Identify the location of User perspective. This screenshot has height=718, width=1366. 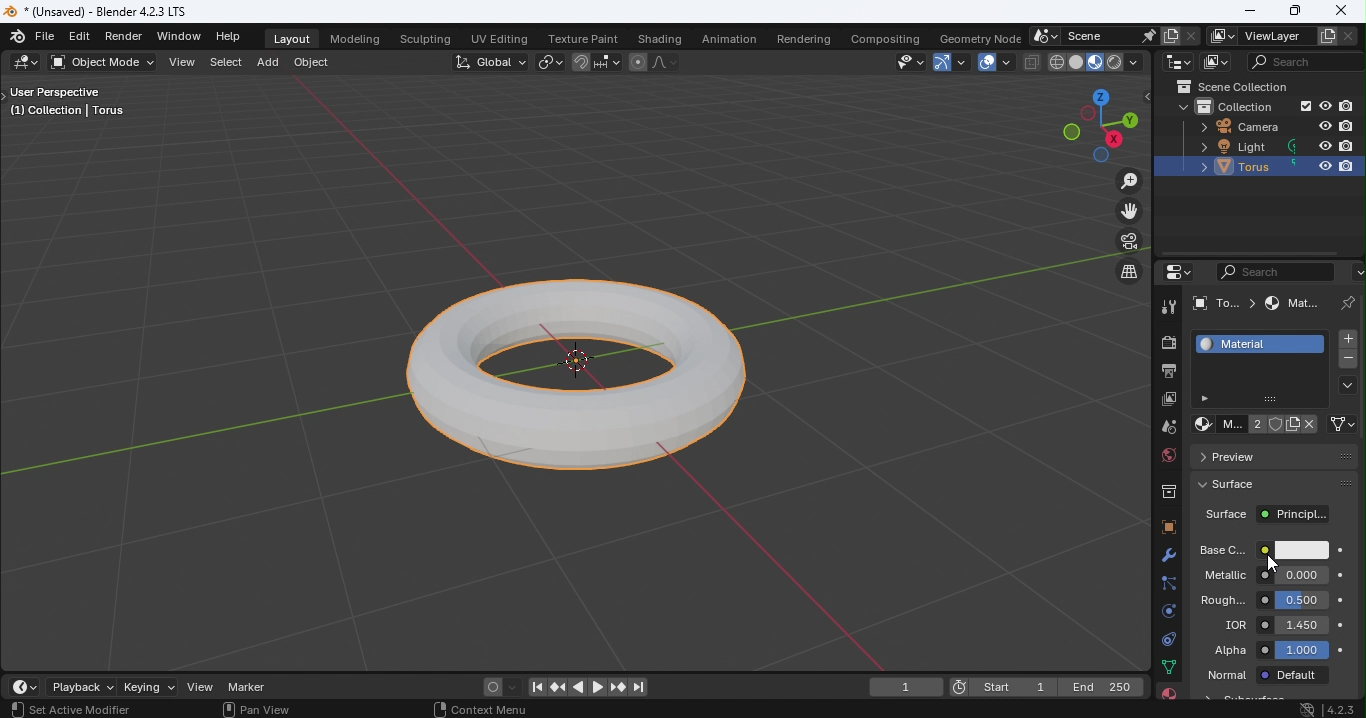
(65, 104).